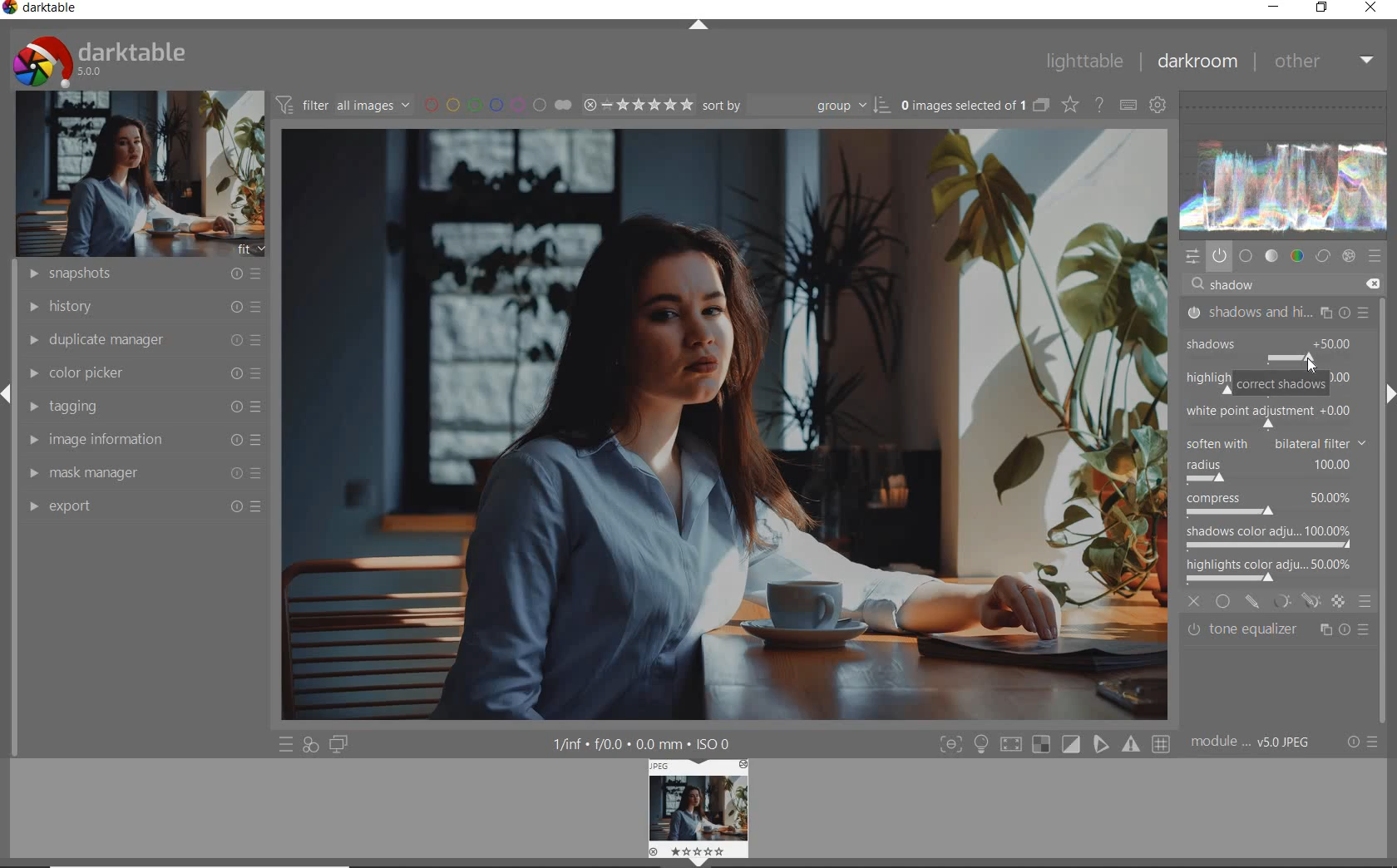  What do you see at coordinates (142, 506) in the screenshot?
I see `export` at bounding box center [142, 506].